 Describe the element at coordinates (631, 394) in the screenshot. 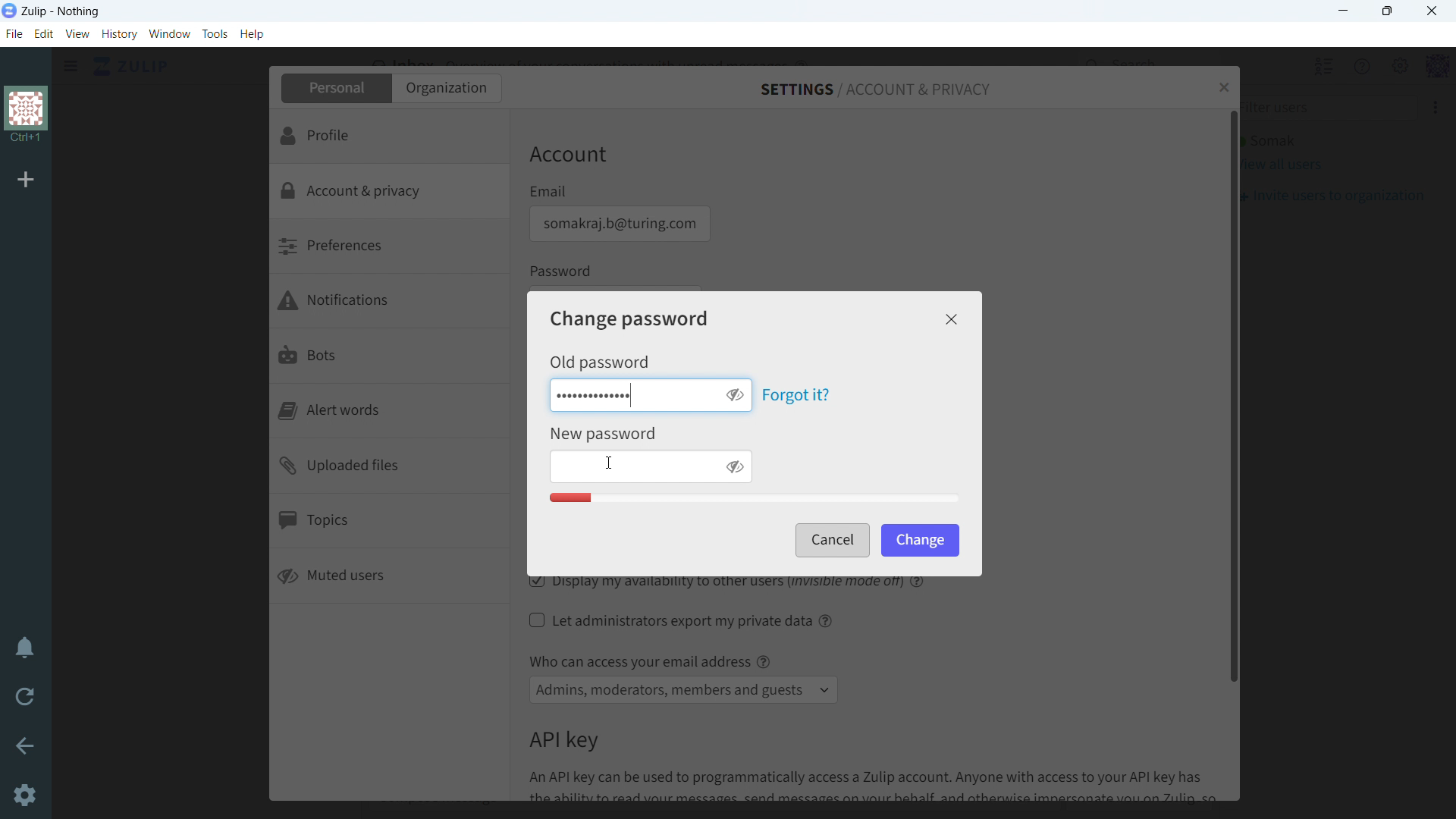

I see `enter old password` at that location.